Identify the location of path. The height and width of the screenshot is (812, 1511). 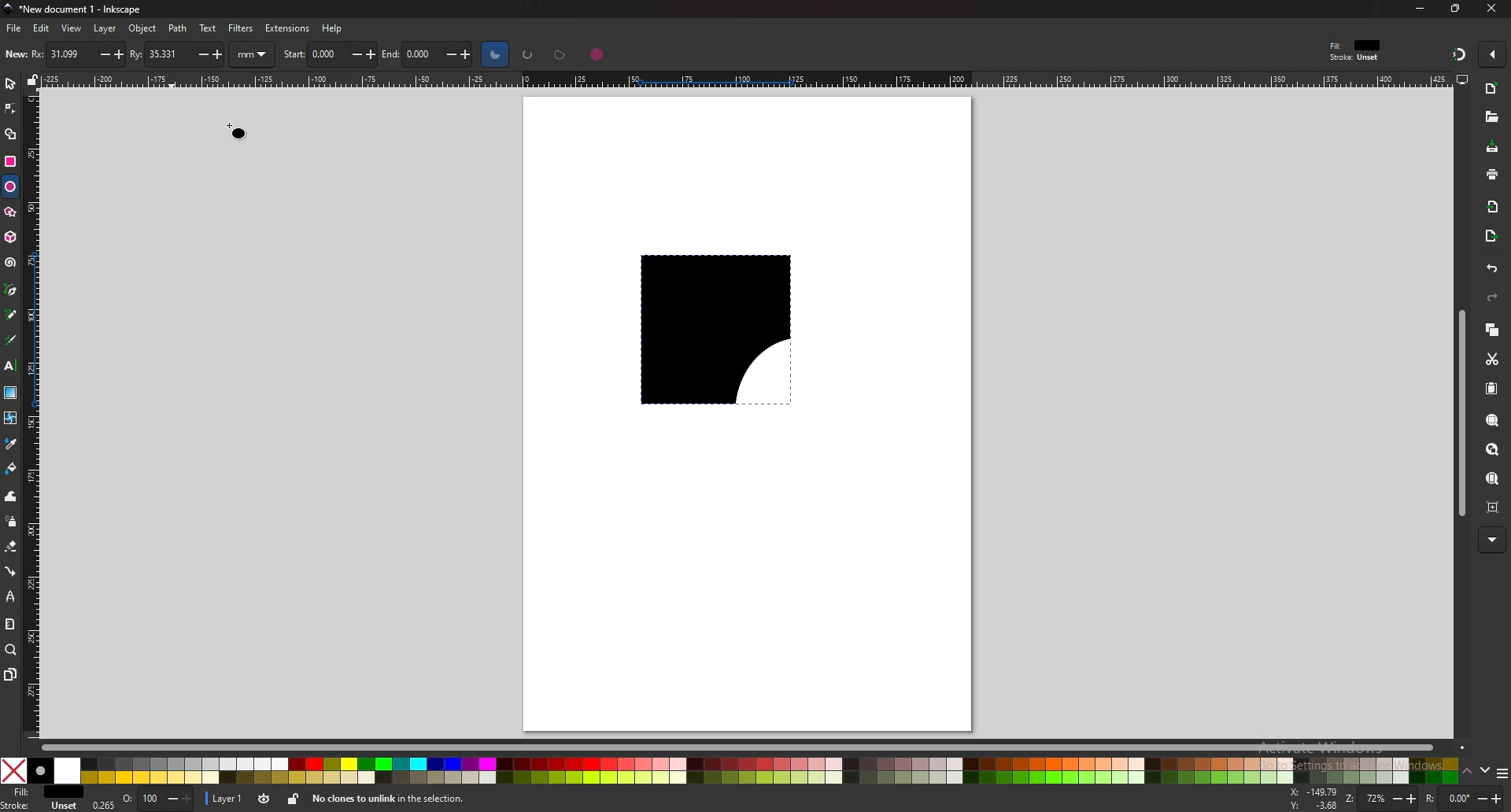
(179, 28).